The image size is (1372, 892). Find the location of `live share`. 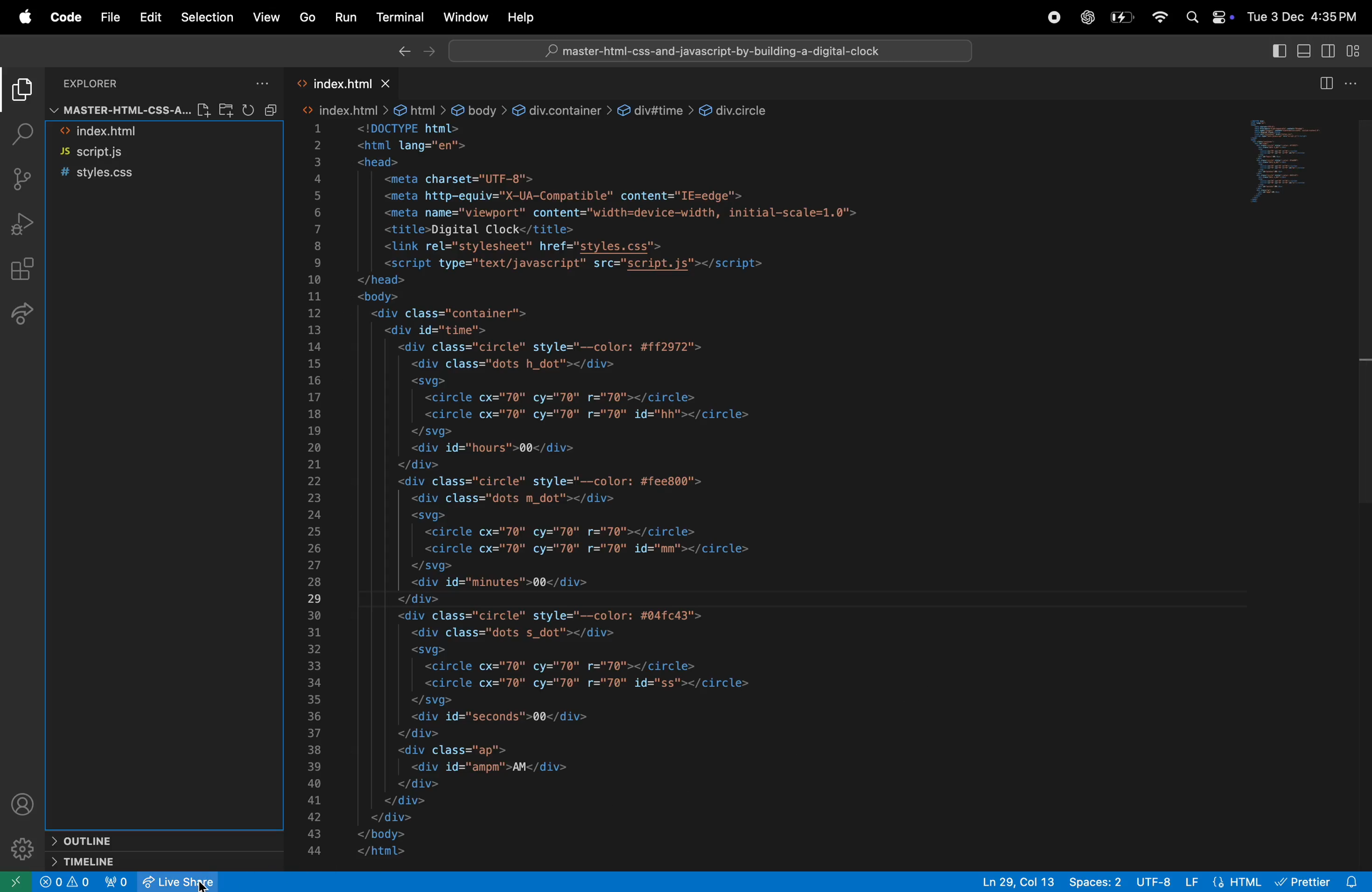

live share is located at coordinates (166, 881).